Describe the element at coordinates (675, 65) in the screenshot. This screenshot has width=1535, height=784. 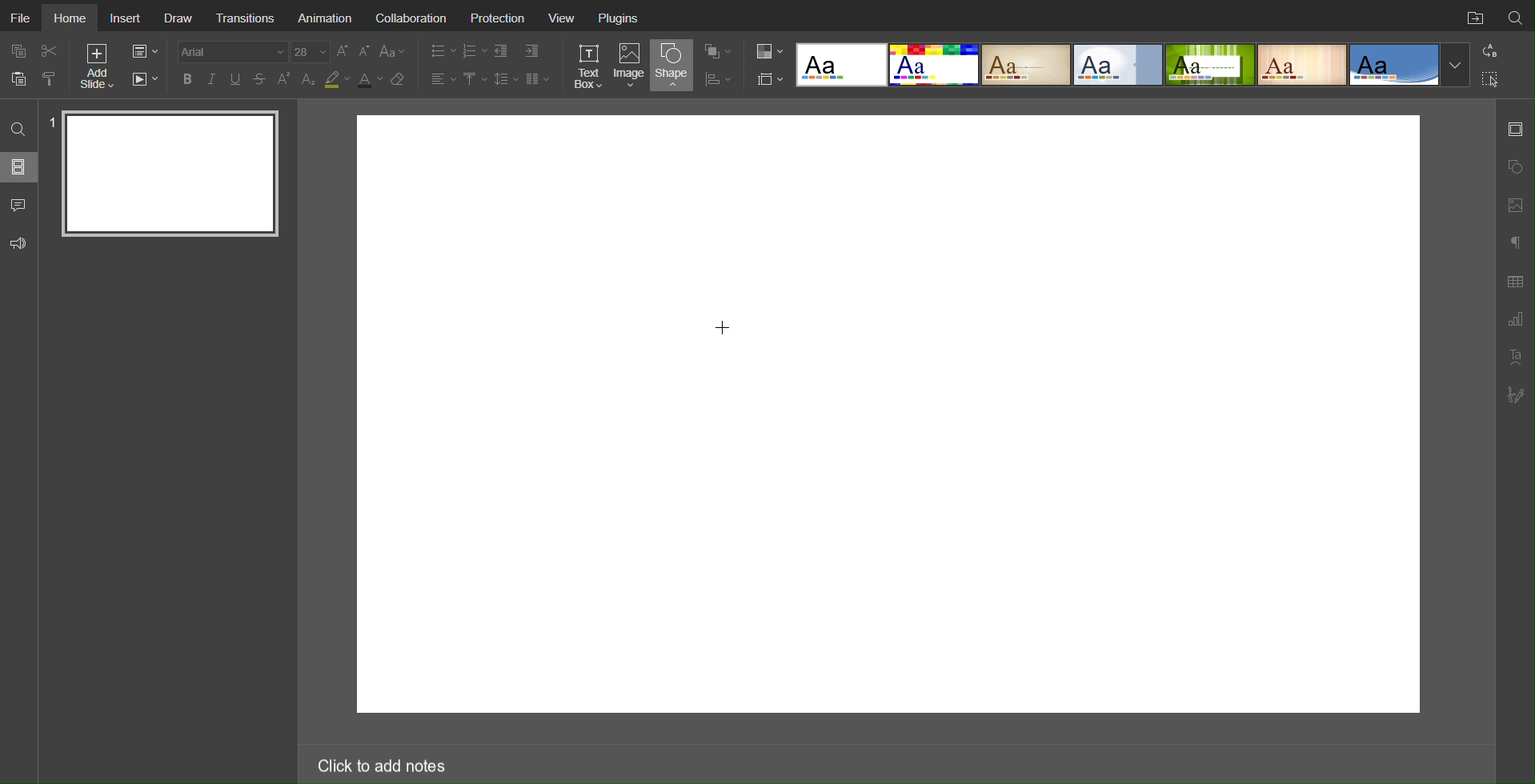
I see `Shape ` at that location.